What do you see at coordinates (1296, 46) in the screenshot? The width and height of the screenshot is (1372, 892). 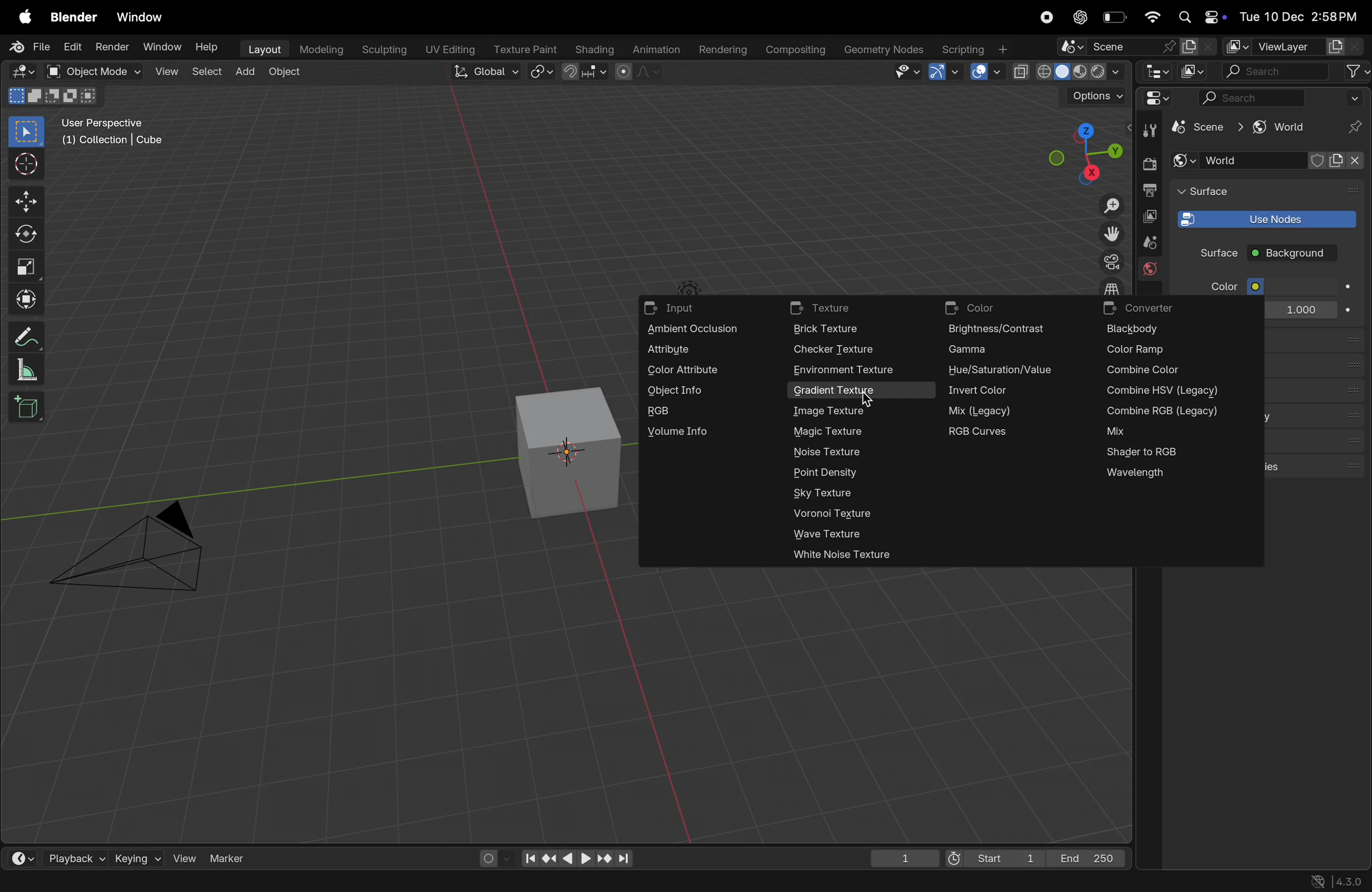 I see `View layer` at bounding box center [1296, 46].